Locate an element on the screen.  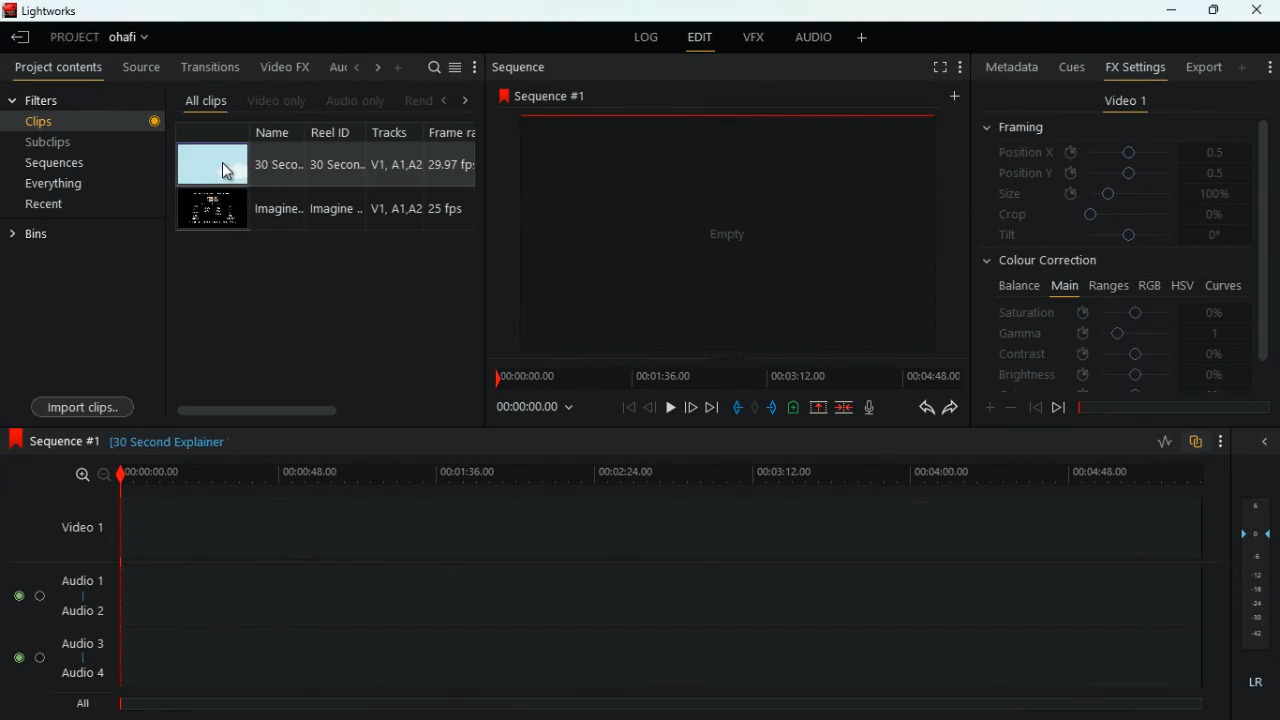
left is located at coordinates (446, 99).